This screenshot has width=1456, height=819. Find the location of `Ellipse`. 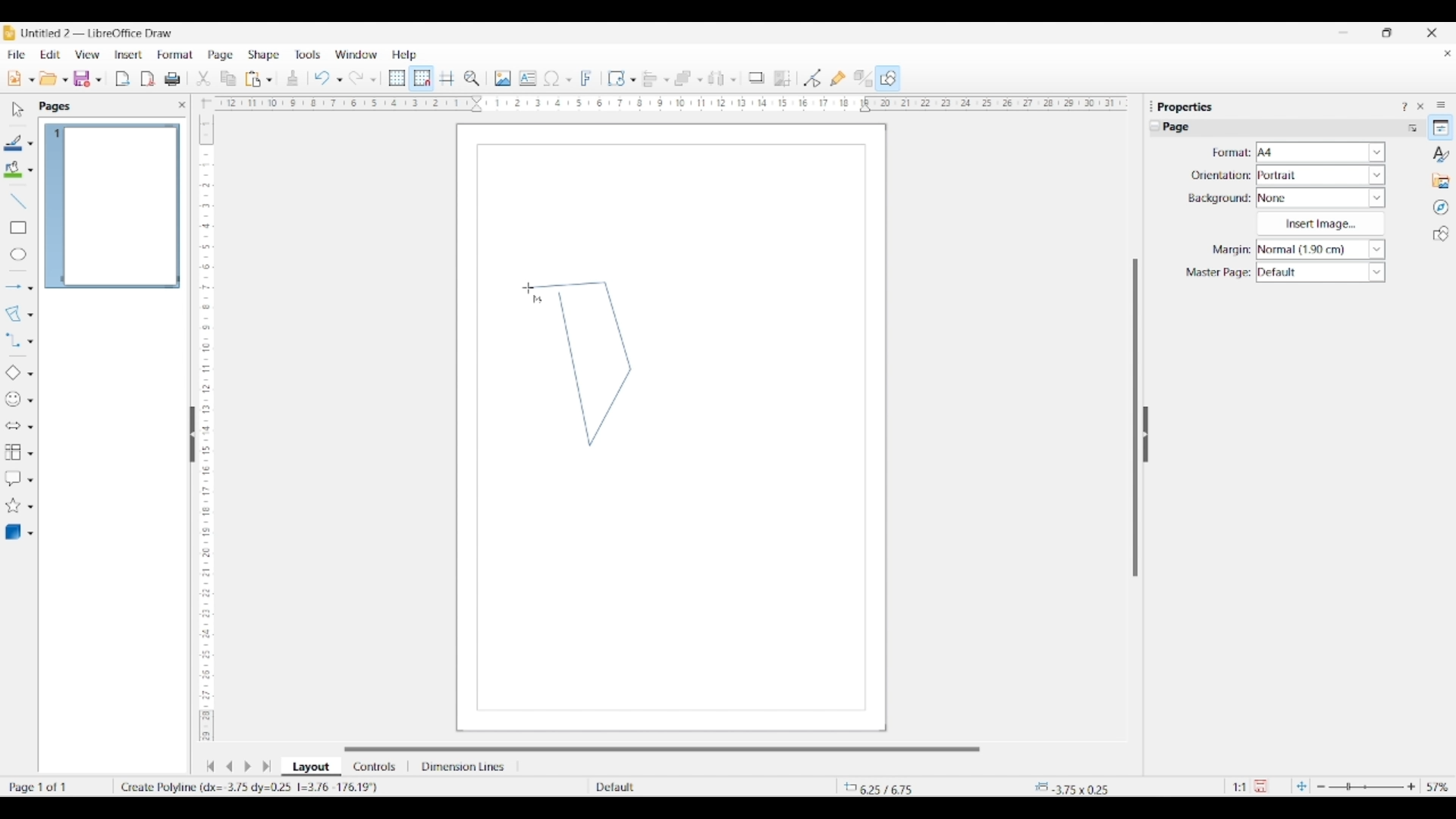

Ellipse is located at coordinates (18, 254).